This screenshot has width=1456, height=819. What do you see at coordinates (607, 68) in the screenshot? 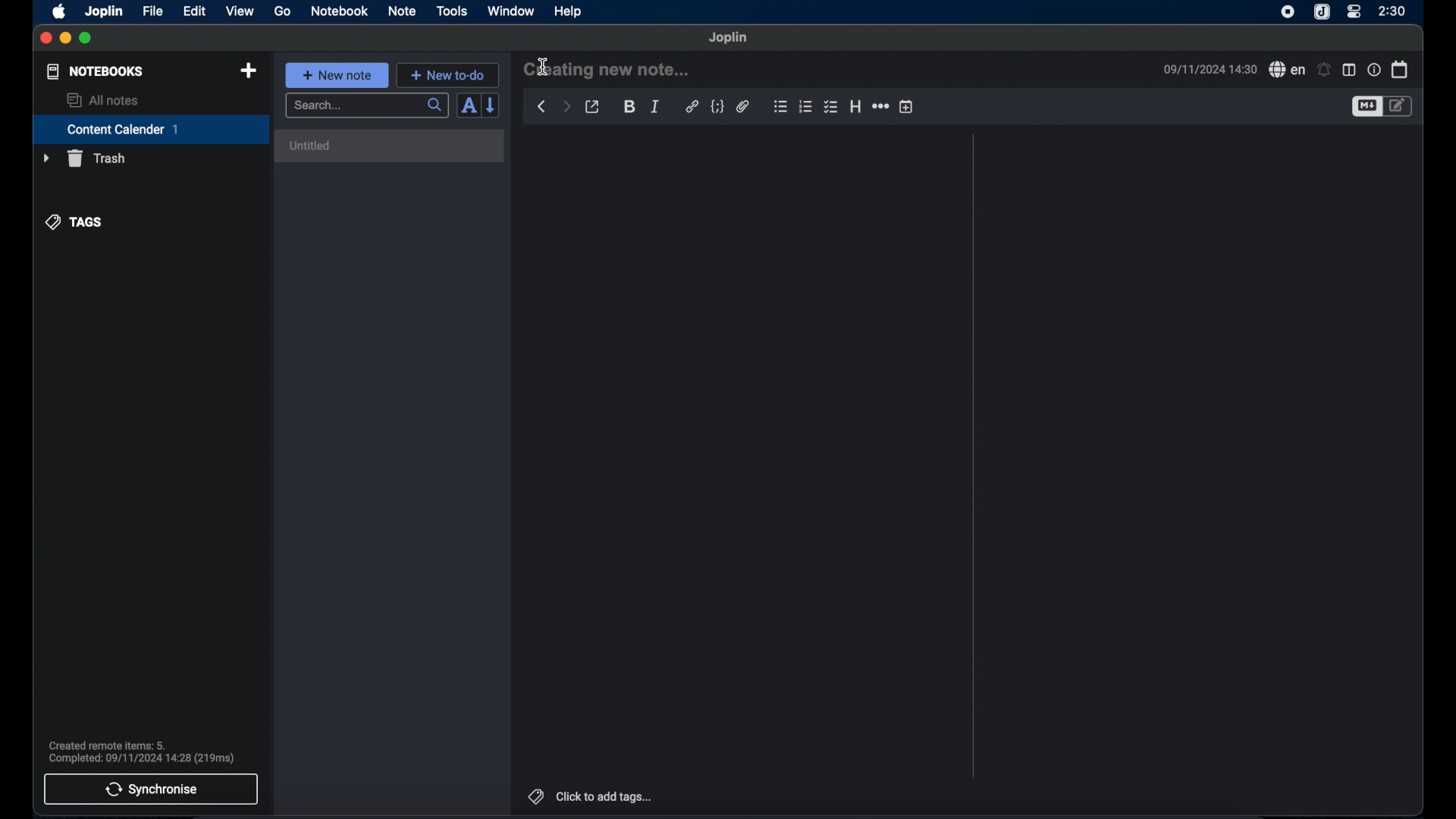
I see `creating a new note` at bounding box center [607, 68].